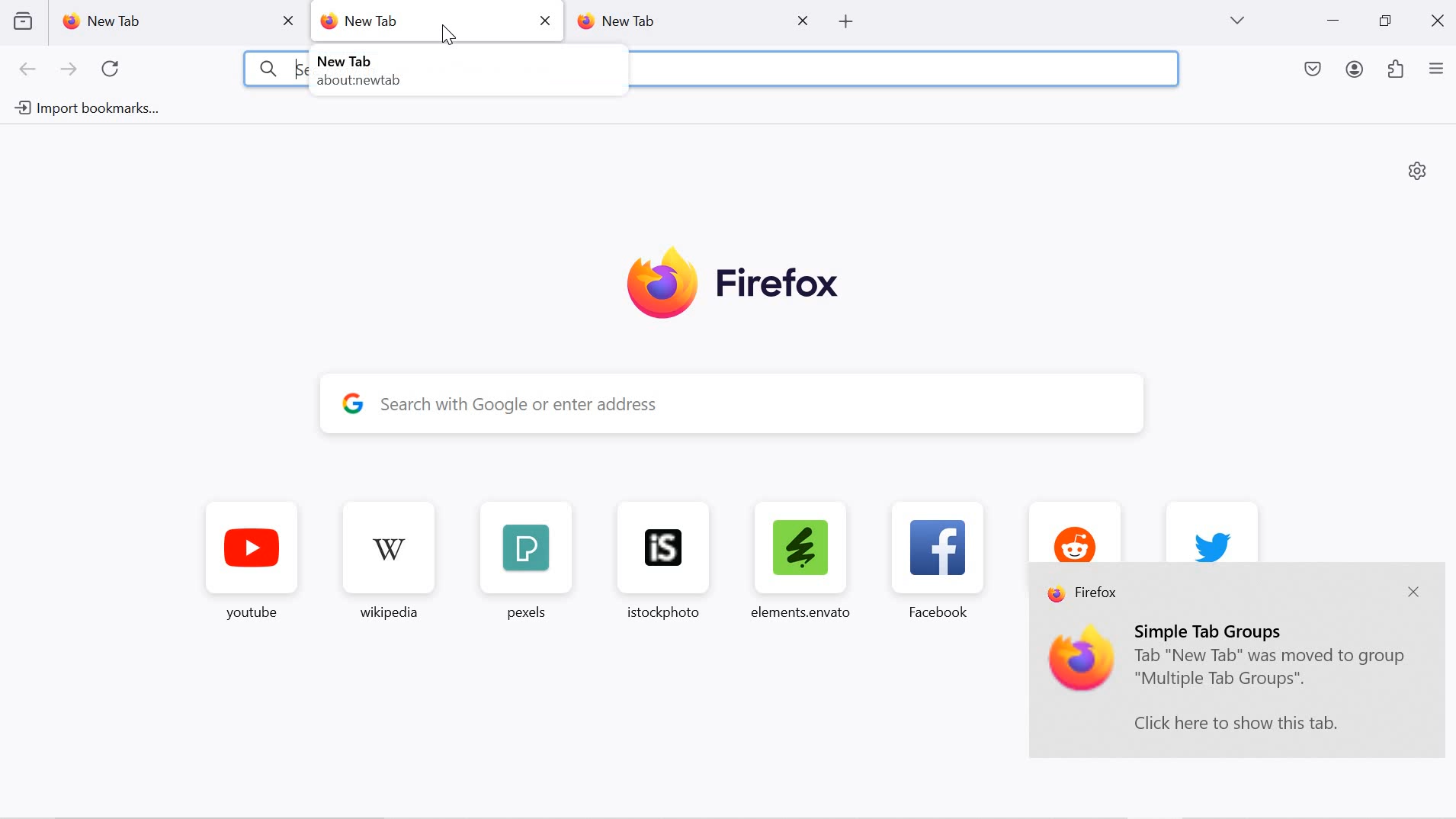 Image resolution: width=1456 pixels, height=819 pixels. What do you see at coordinates (290, 21) in the screenshot?
I see `close tab` at bounding box center [290, 21].